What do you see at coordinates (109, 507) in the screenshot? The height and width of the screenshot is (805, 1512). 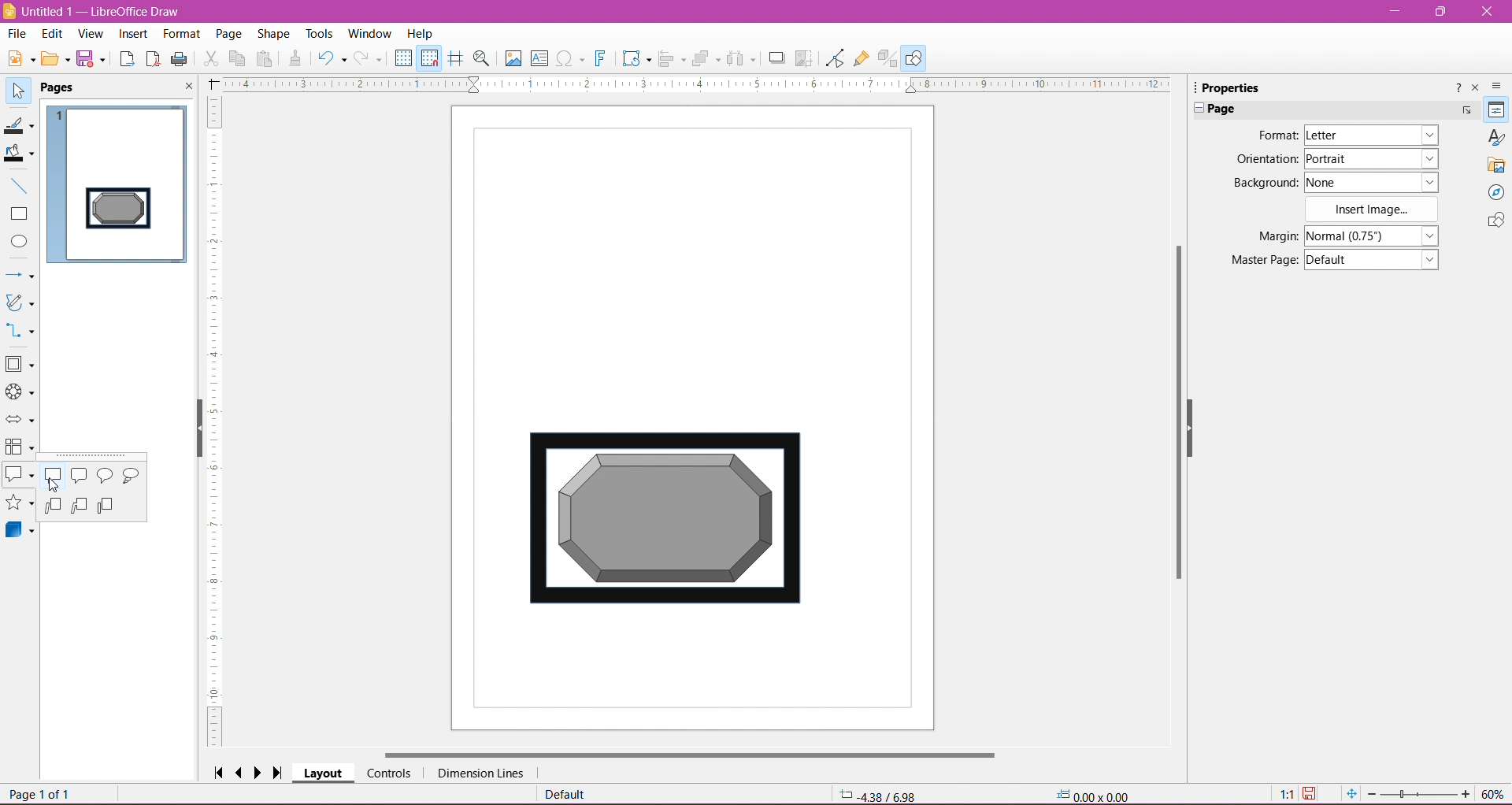 I see `Line Callout 3` at bounding box center [109, 507].